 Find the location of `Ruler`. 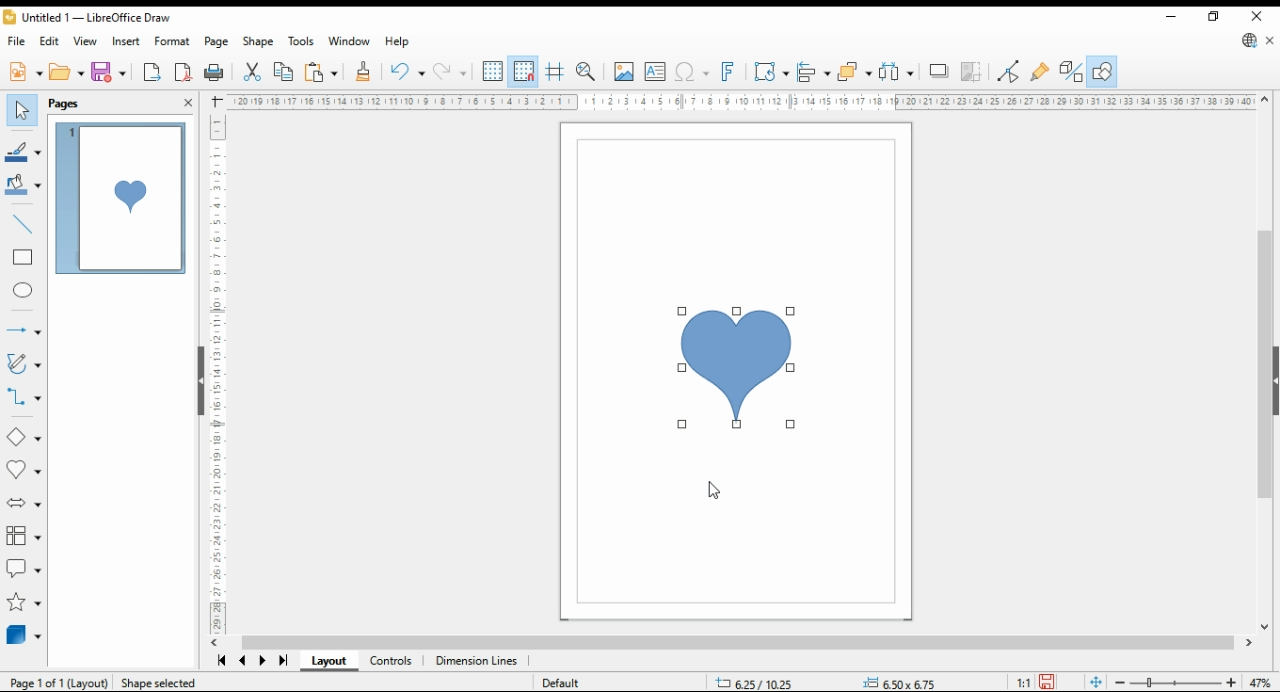

Ruler is located at coordinates (743, 102).